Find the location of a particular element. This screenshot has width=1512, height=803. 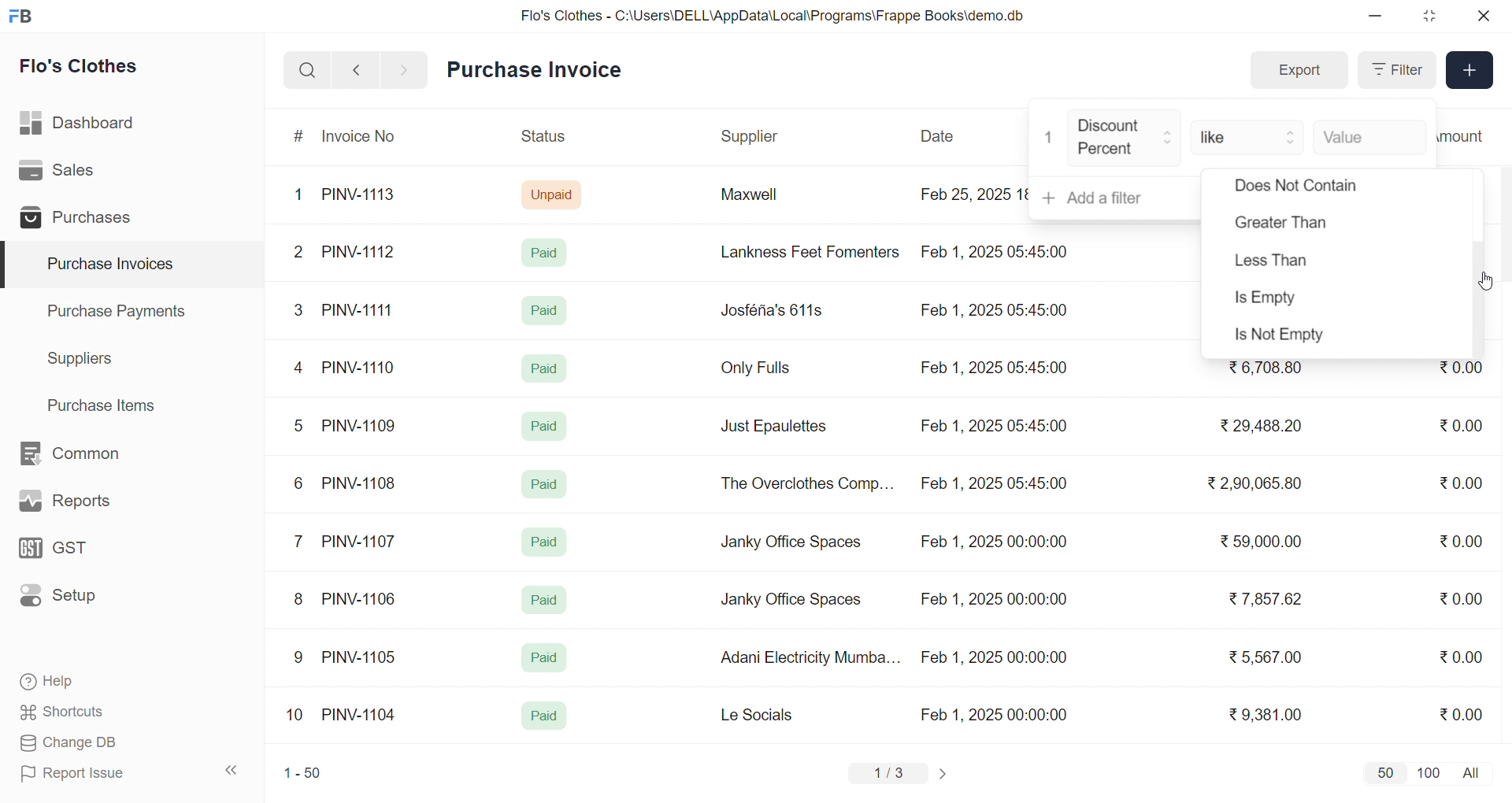

PINV-1108 is located at coordinates (360, 483).